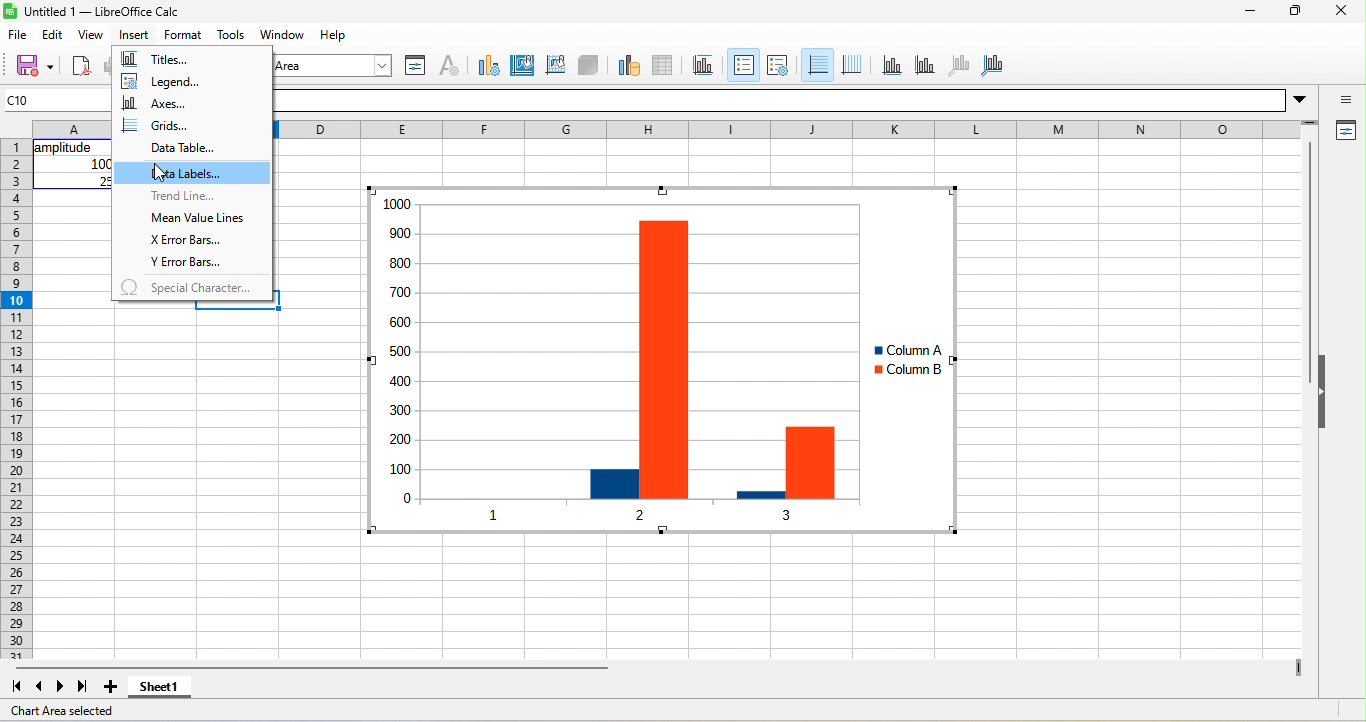  What do you see at coordinates (589, 64) in the screenshot?
I see `3d view` at bounding box center [589, 64].